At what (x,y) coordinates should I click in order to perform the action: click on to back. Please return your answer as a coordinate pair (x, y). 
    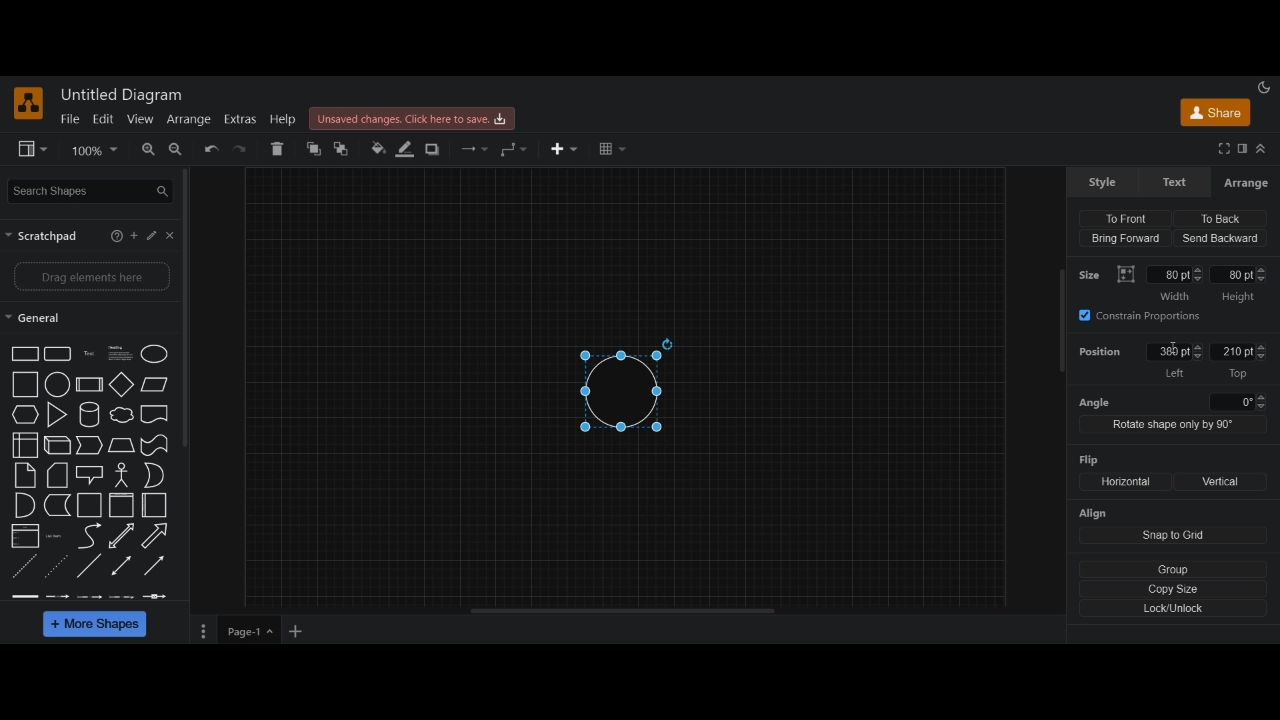
    Looking at the image, I should click on (1217, 218).